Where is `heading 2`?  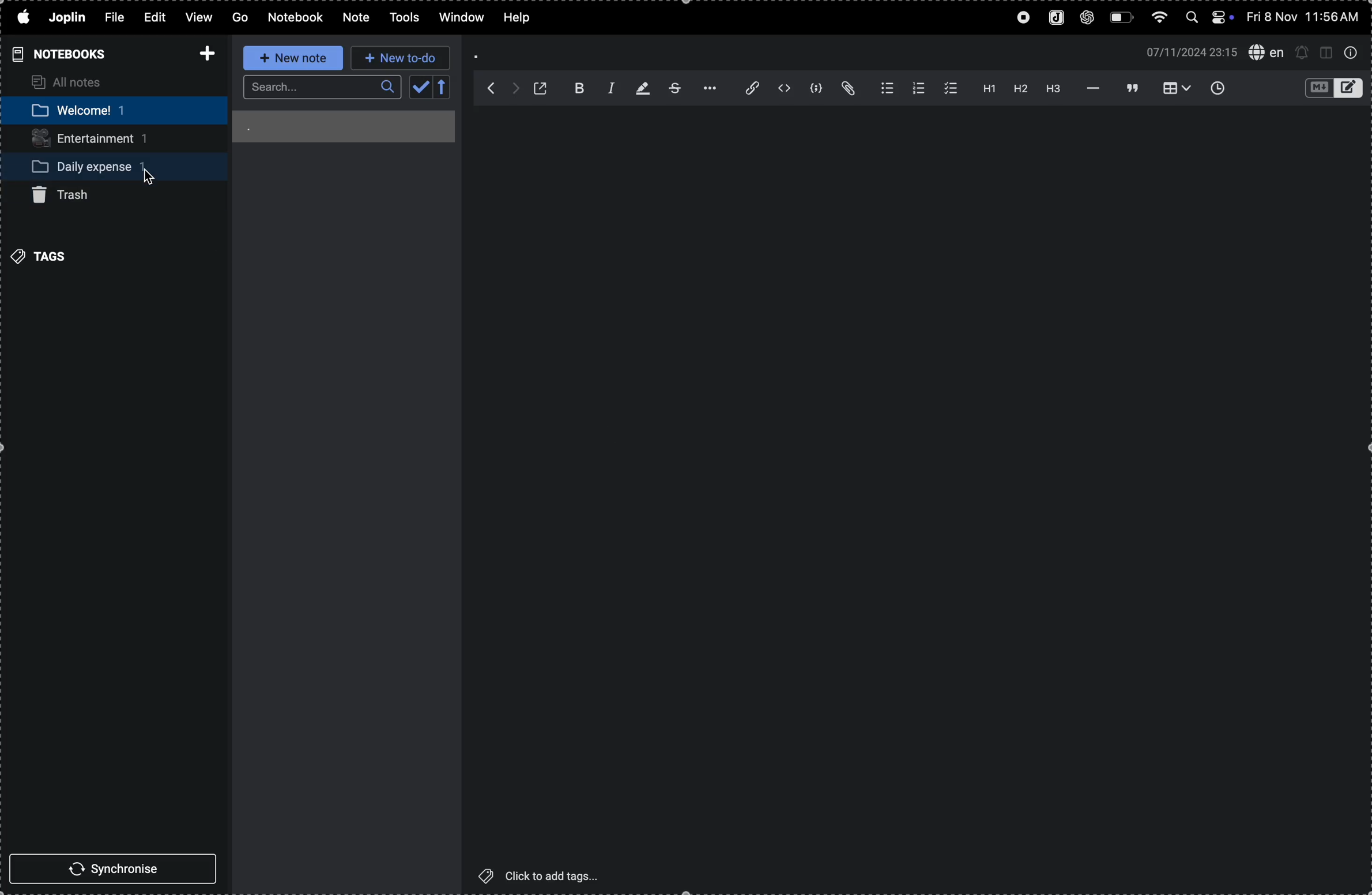 heading 2 is located at coordinates (1020, 91).